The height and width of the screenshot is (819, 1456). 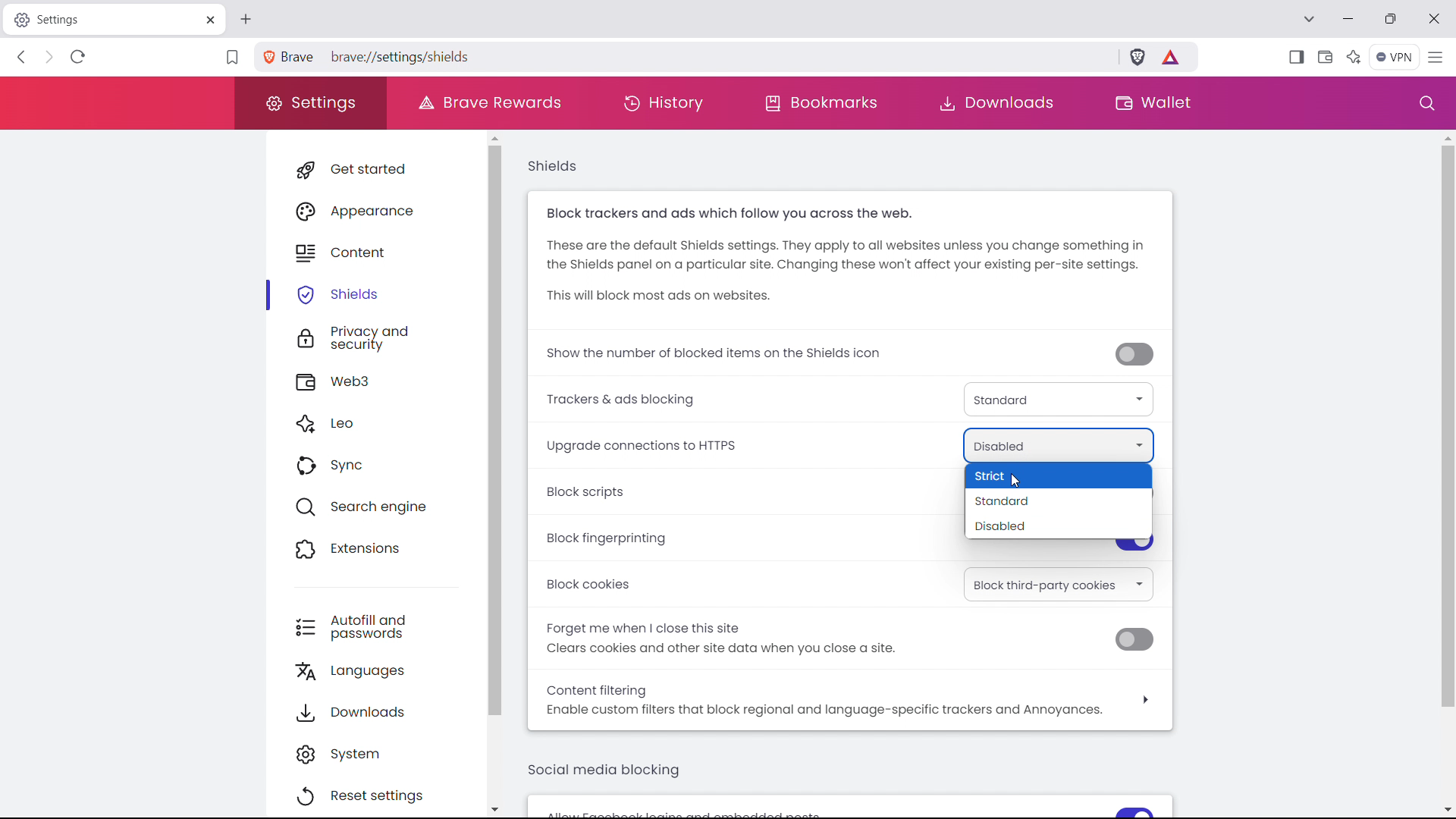 I want to click on social media blocking, so click(x=604, y=769).